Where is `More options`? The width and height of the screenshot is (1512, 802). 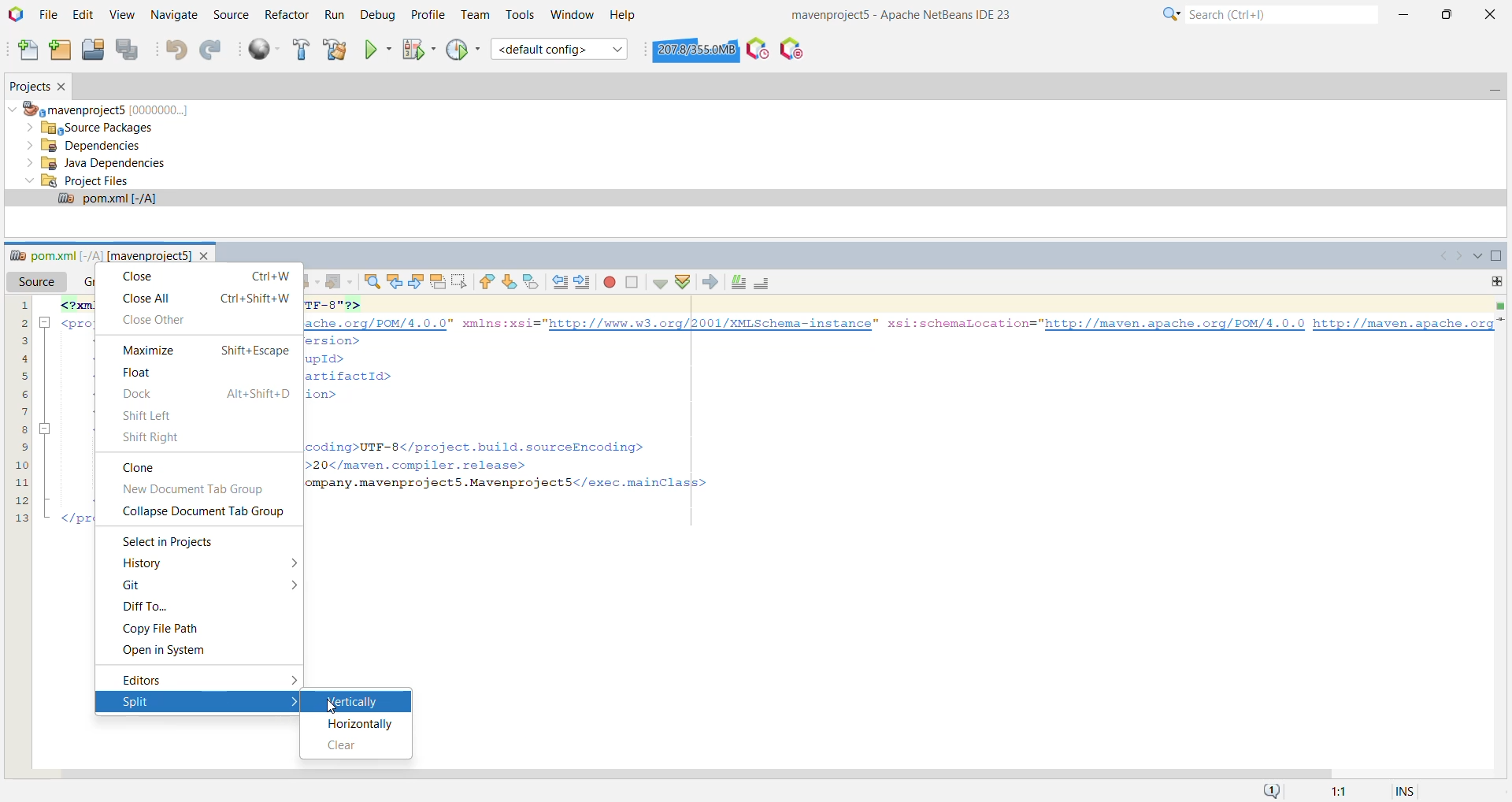
More options is located at coordinates (287, 563).